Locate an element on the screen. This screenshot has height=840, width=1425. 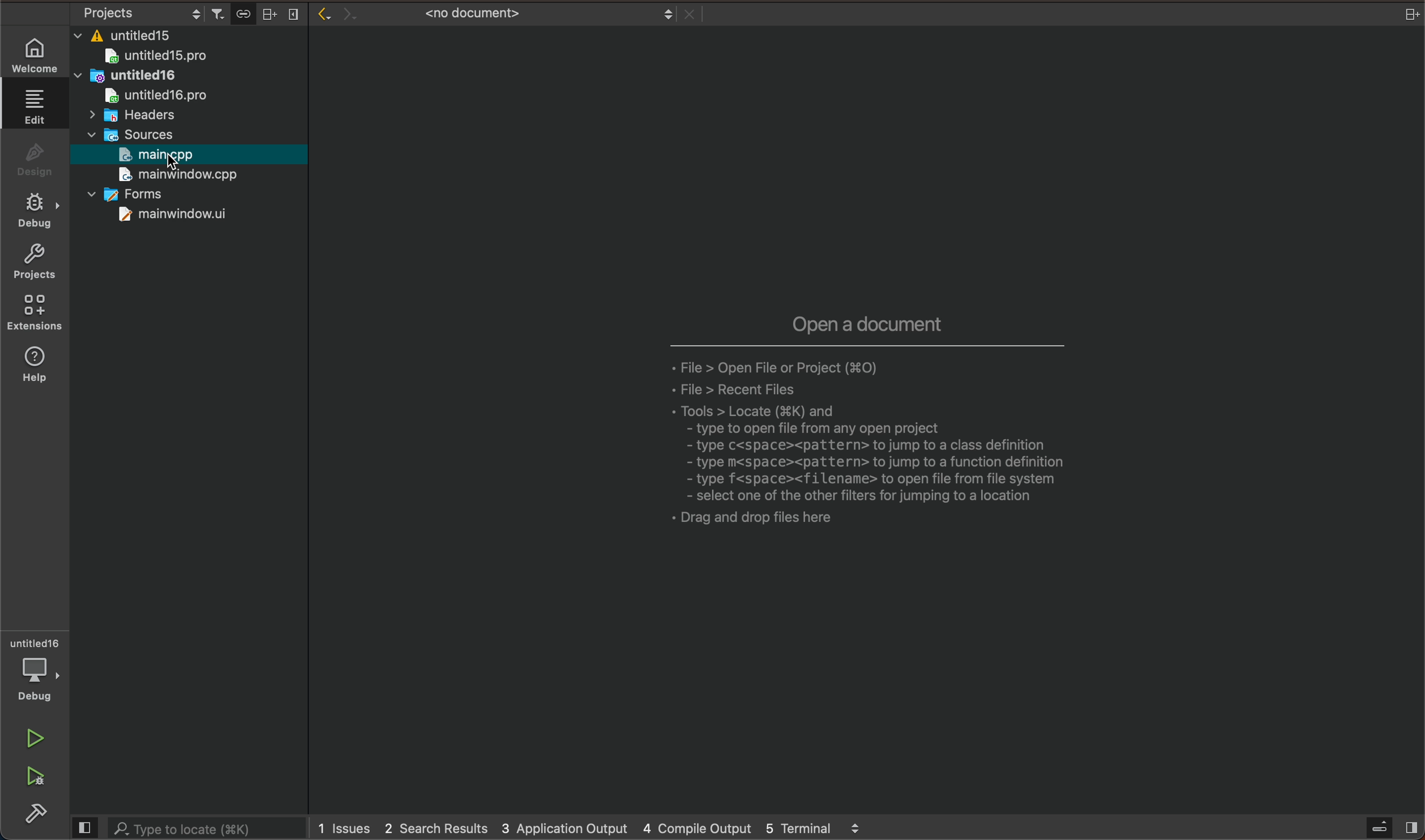
close is located at coordinates (296, 15).